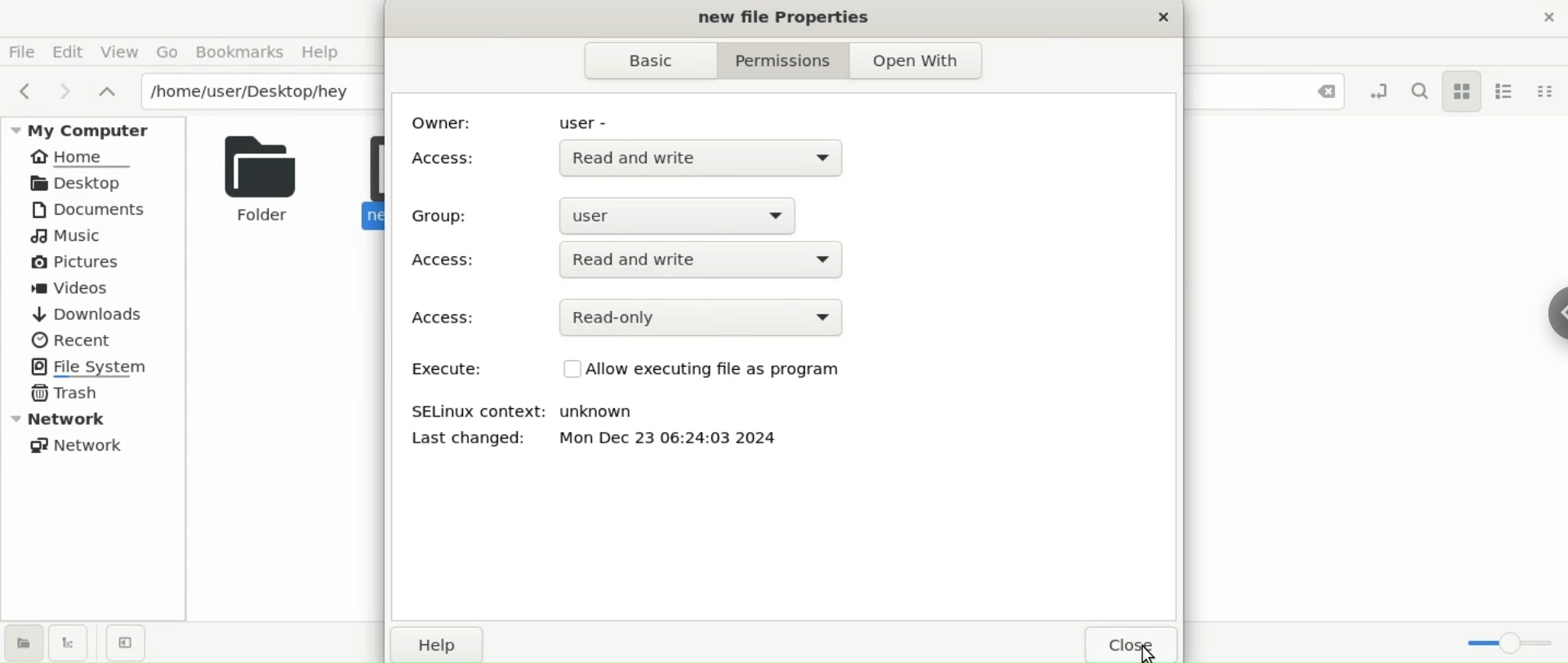  Describe the element at coordinates (1505, 640) in the screenshot. I see `zoom` at that location.